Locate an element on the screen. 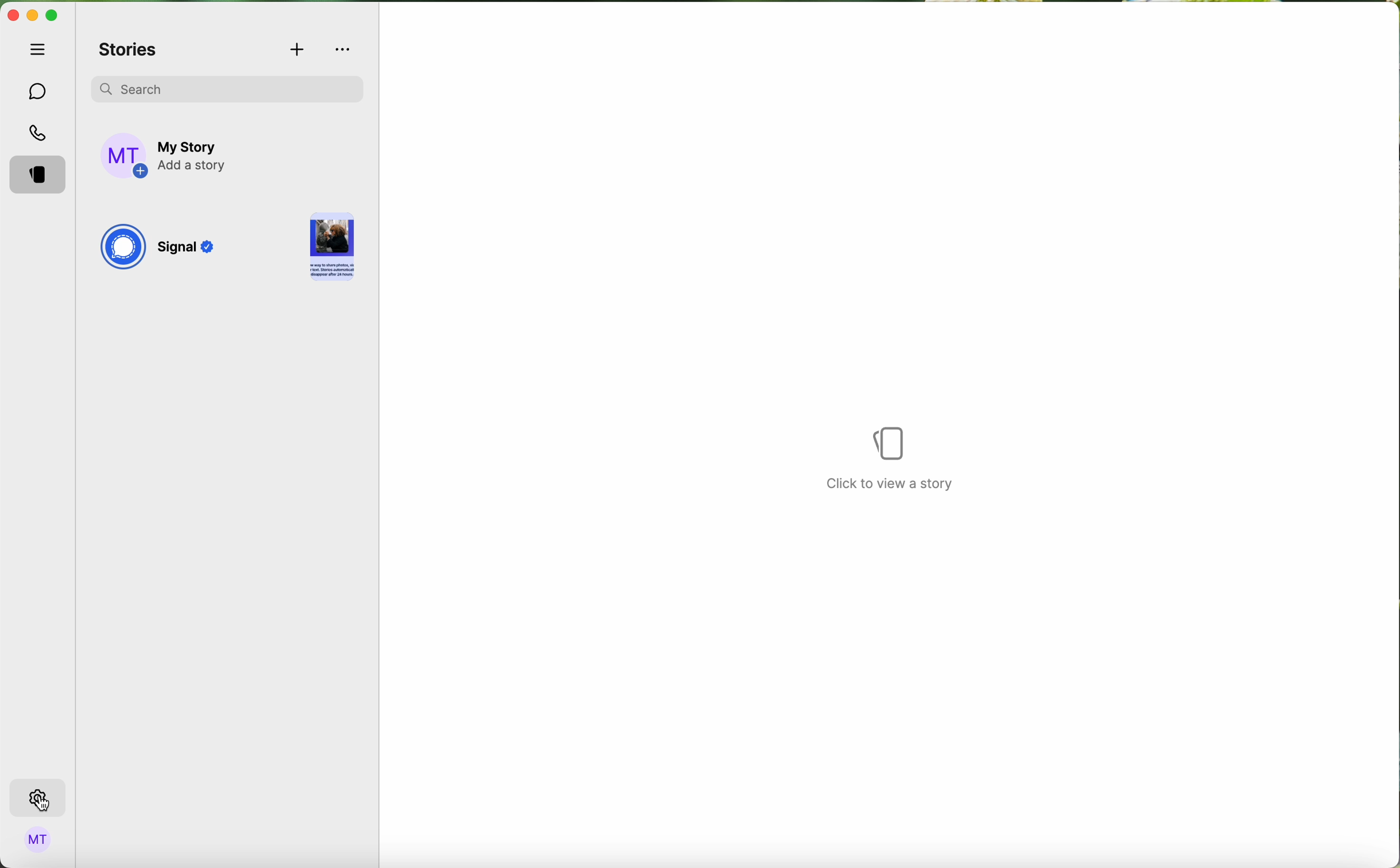  Signal is located at coordinates (189, 250).